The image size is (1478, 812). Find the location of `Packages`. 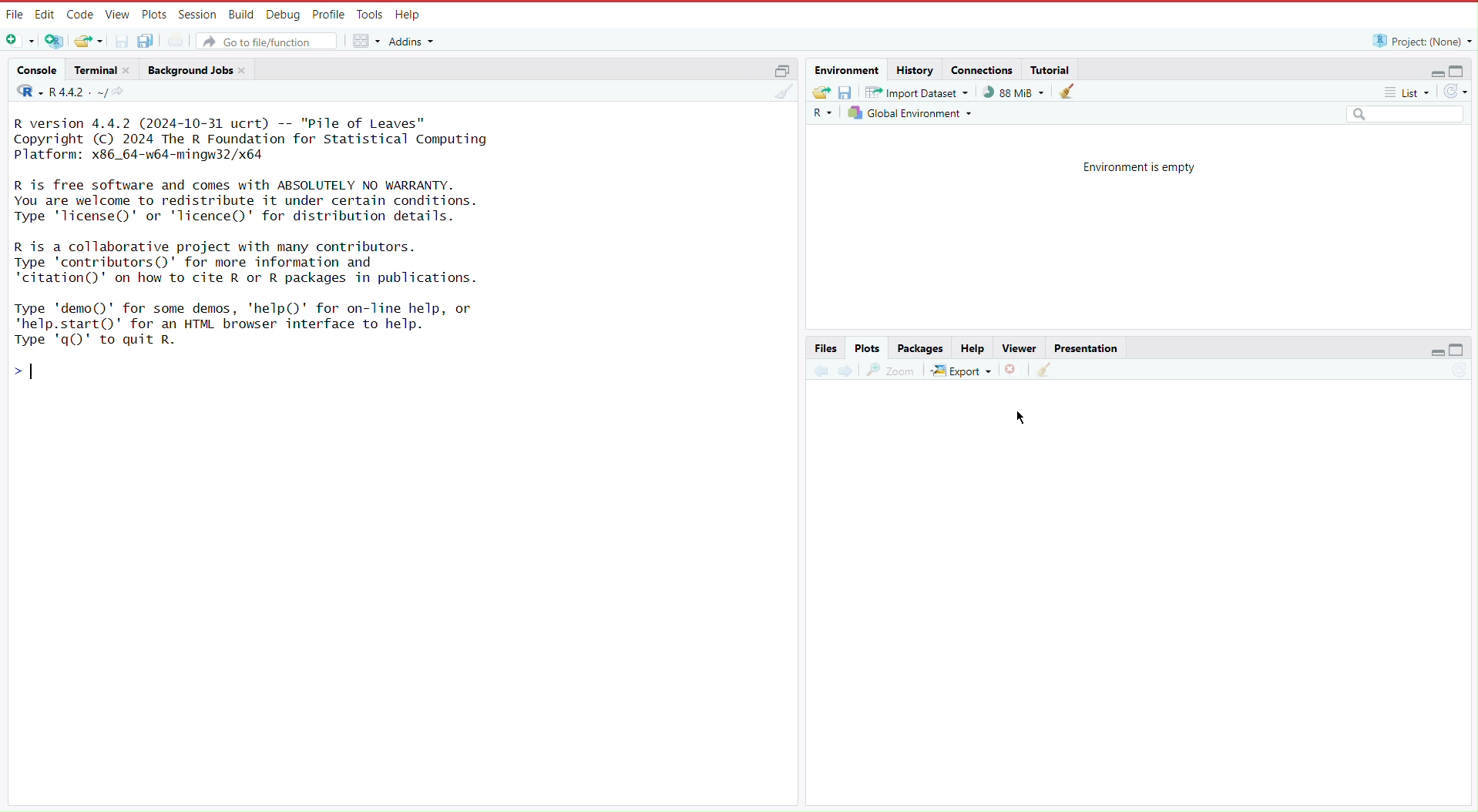

Packages is located at coordinates (922, 348).